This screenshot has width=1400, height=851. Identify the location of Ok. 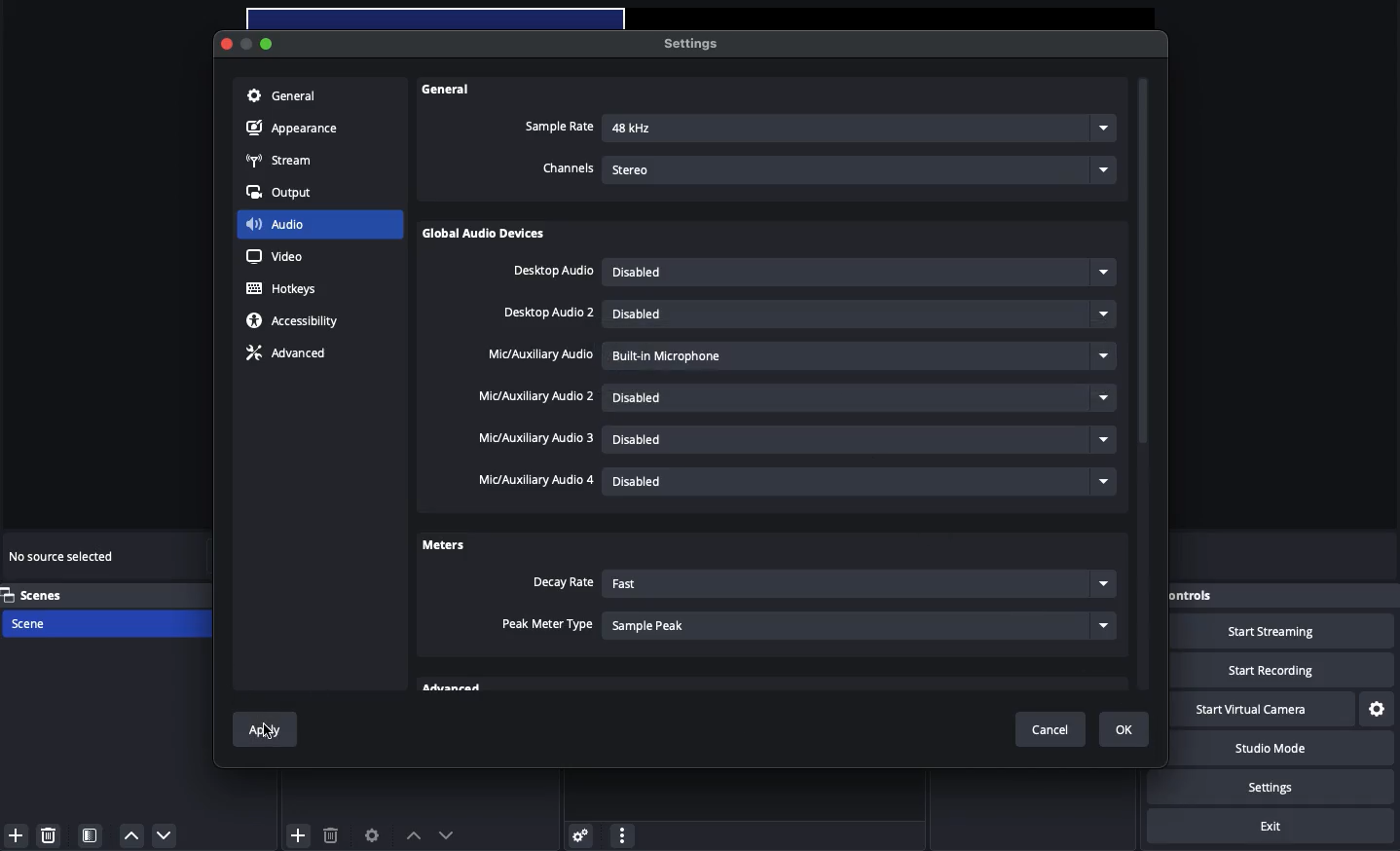
(1124, 729).